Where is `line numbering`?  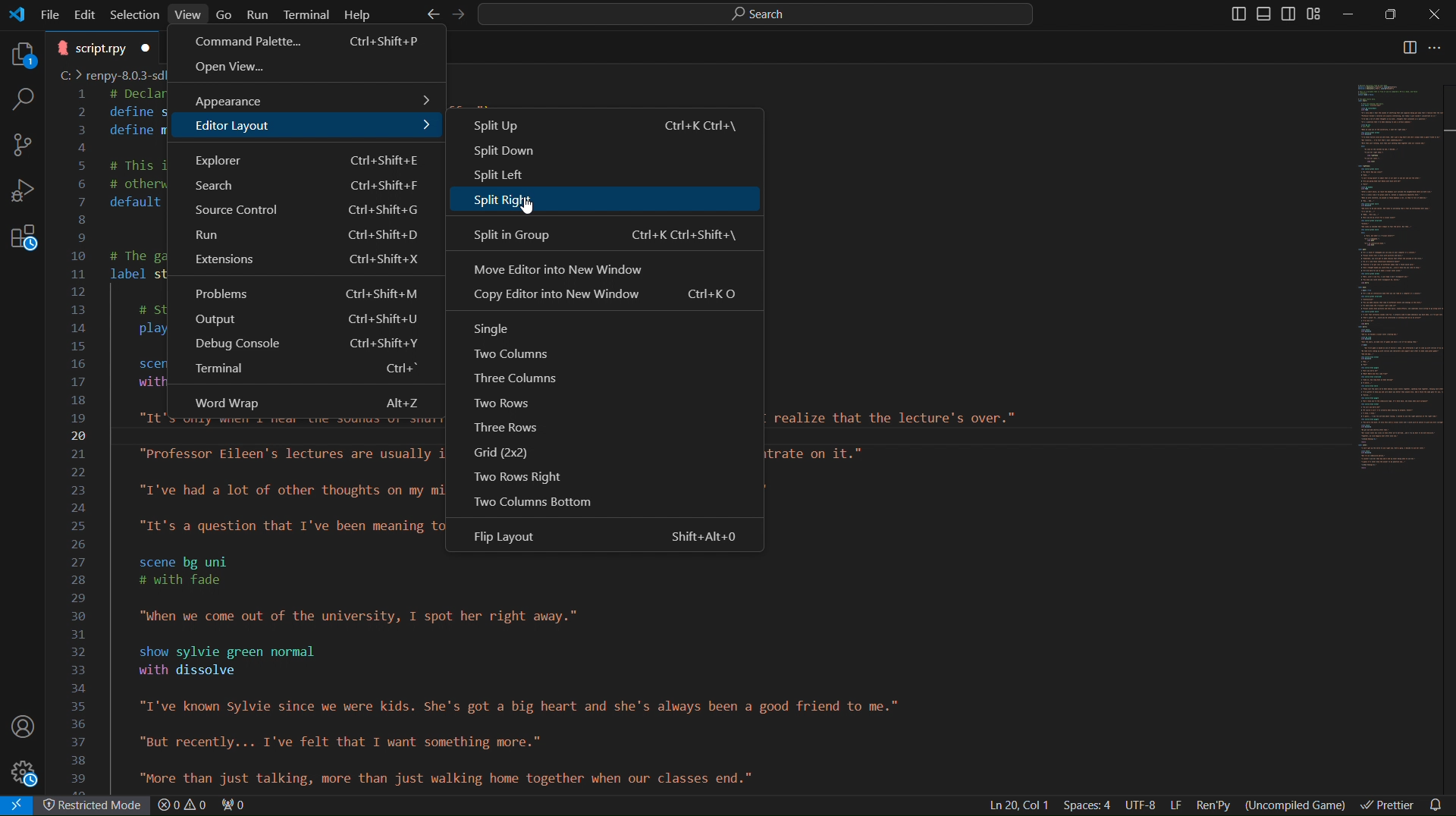 line numbering is located at coordinates (81, 440).